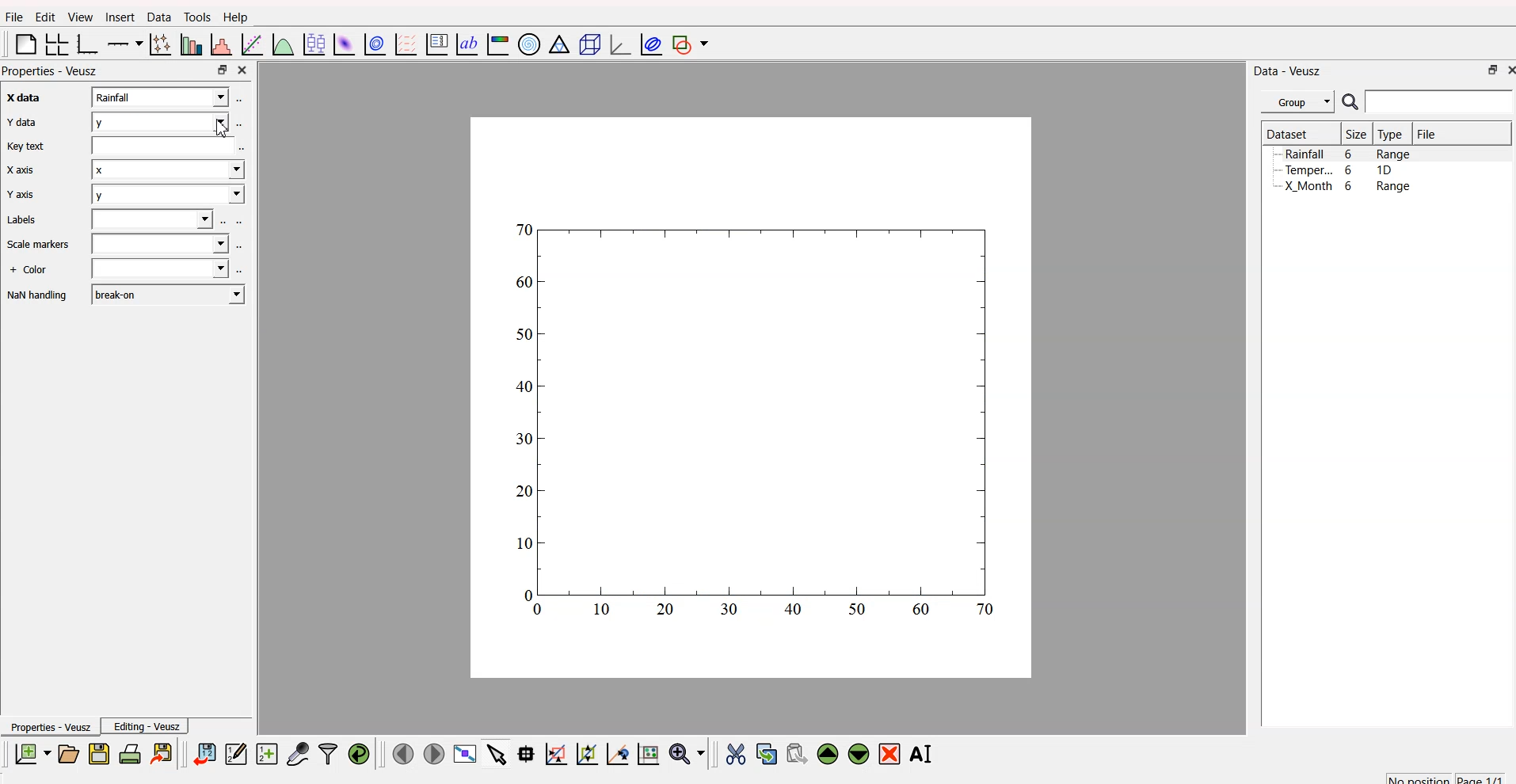 The height and width of the screenshot is (784, 1516). Describe the element at coordinates (14, 19) in the screenshot. I see `Flle` at that location.